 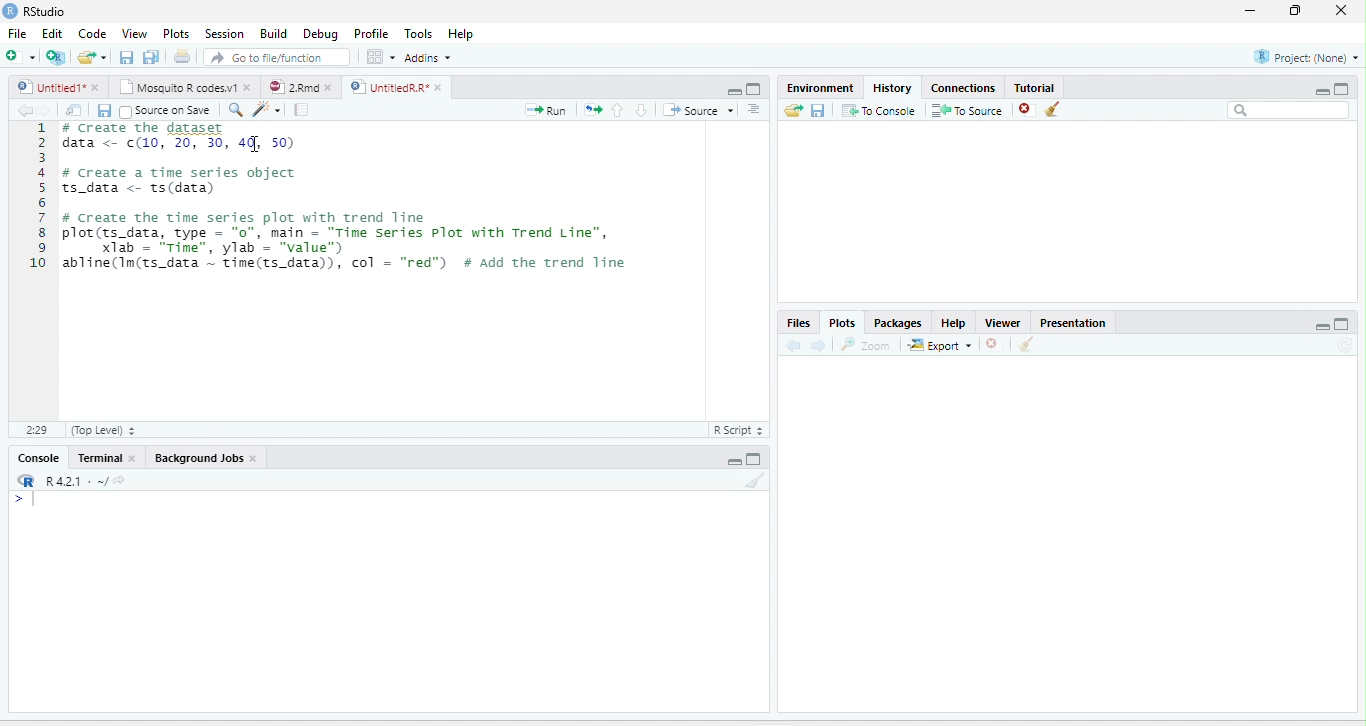 What do you see at coordinates (49, 87) in the screenshot?
I see `Untitled1*` at bounding box center [49, 87].